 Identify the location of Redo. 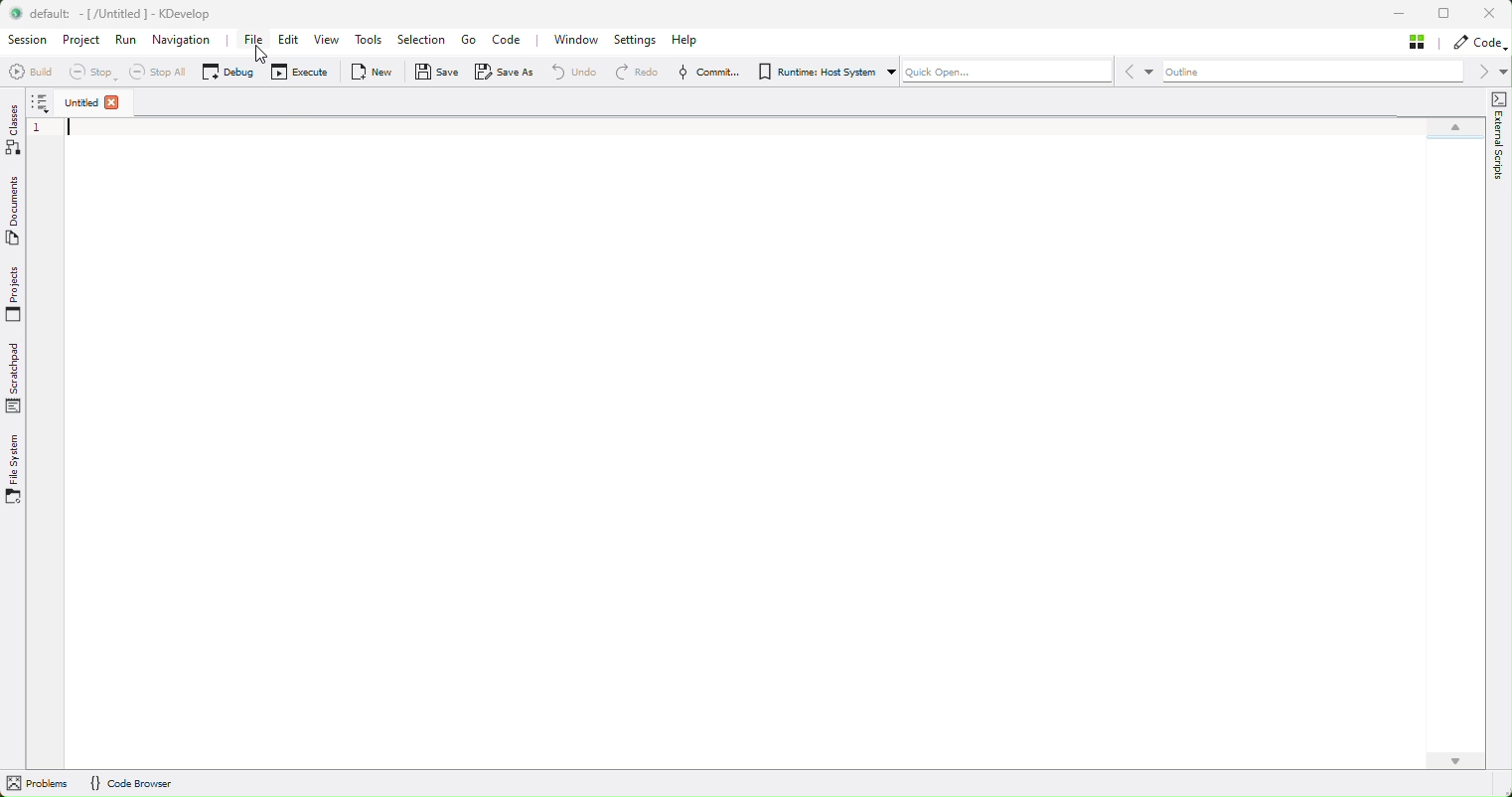
(567, 72).